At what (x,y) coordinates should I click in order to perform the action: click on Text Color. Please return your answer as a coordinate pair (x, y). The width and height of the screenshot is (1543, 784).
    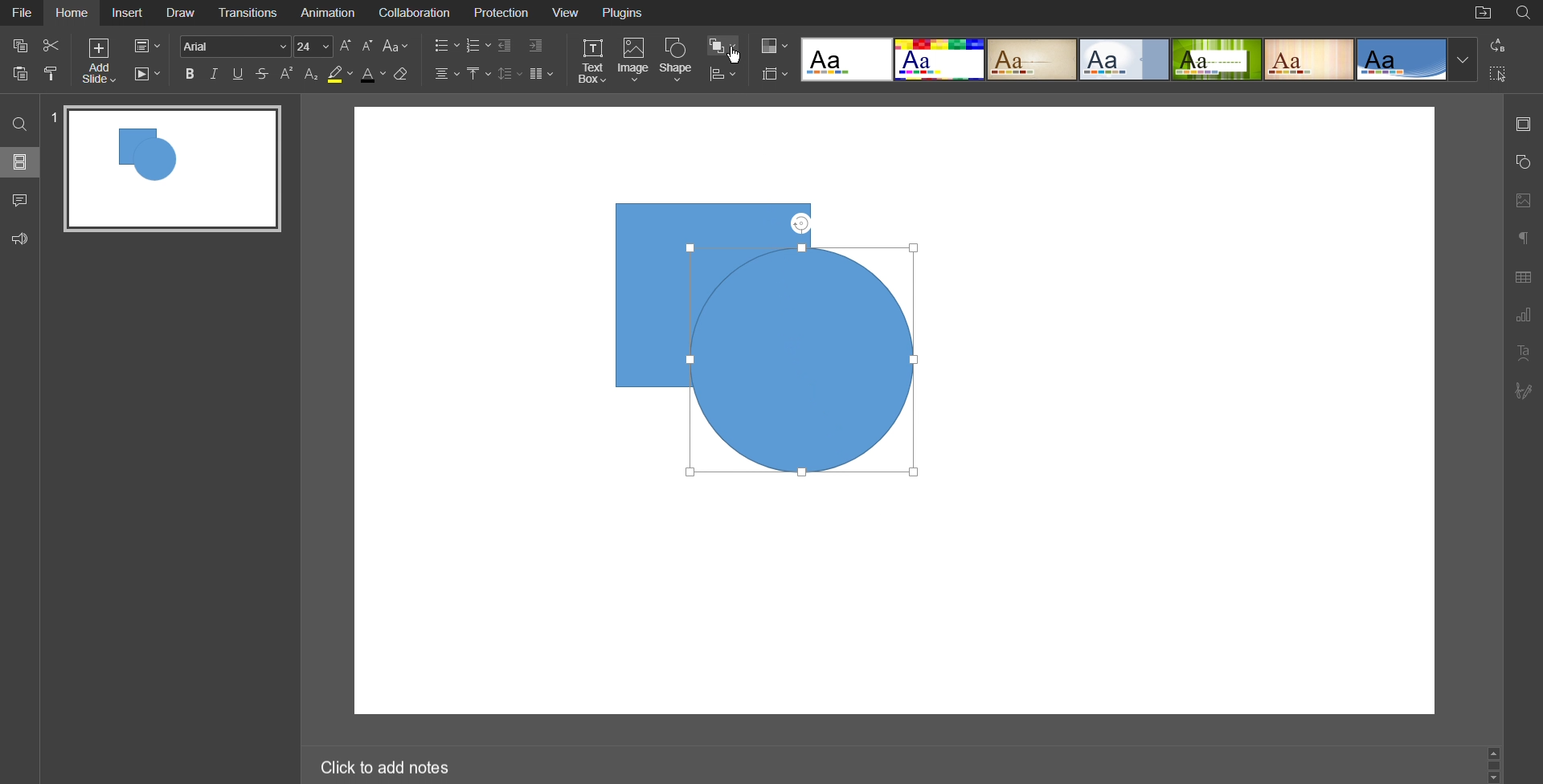
    Looking at the image, I should click on (373, 75).